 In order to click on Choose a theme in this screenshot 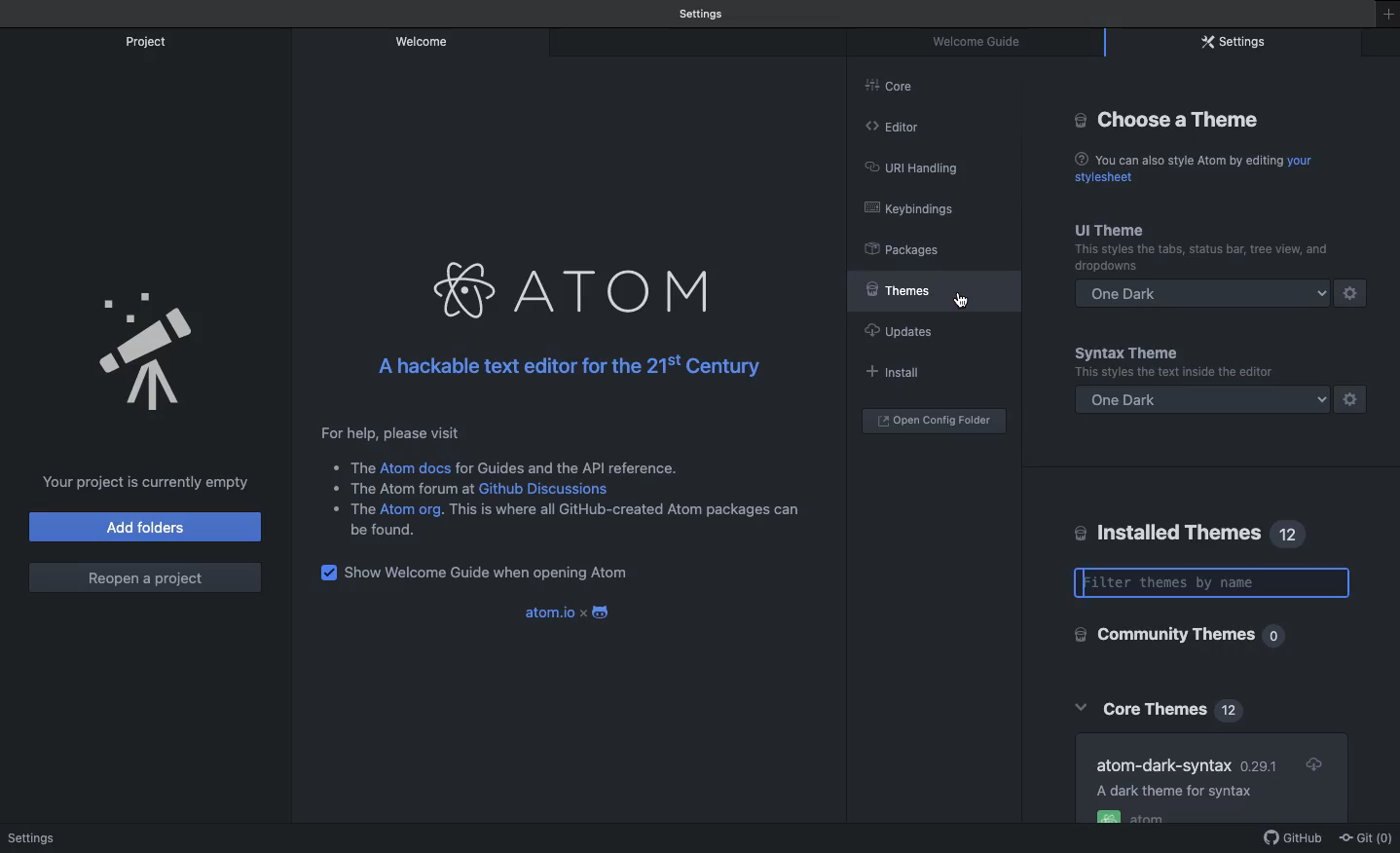, I will do `click(1179, 120)`.